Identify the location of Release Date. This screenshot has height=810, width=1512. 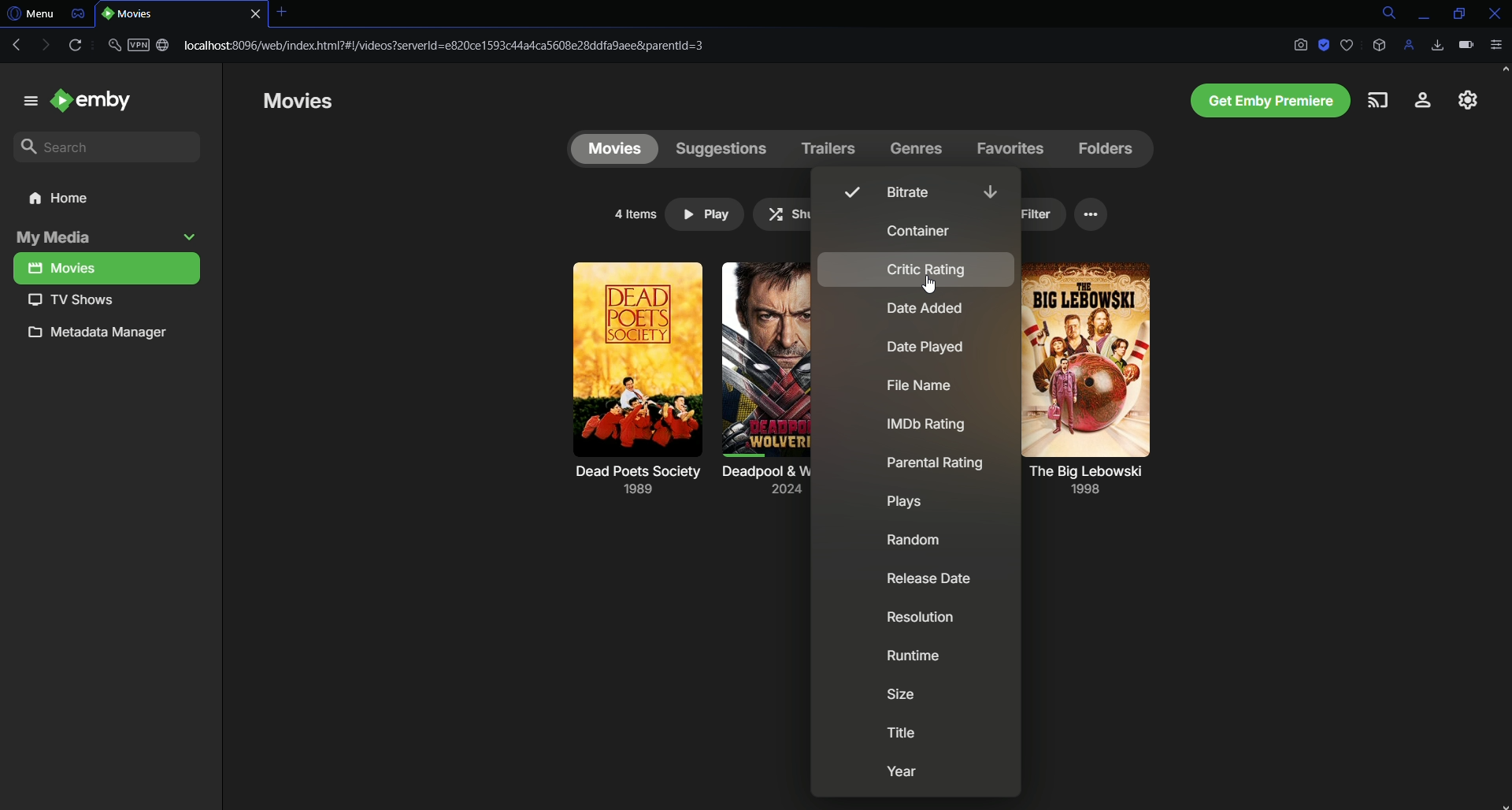
(927, 581).